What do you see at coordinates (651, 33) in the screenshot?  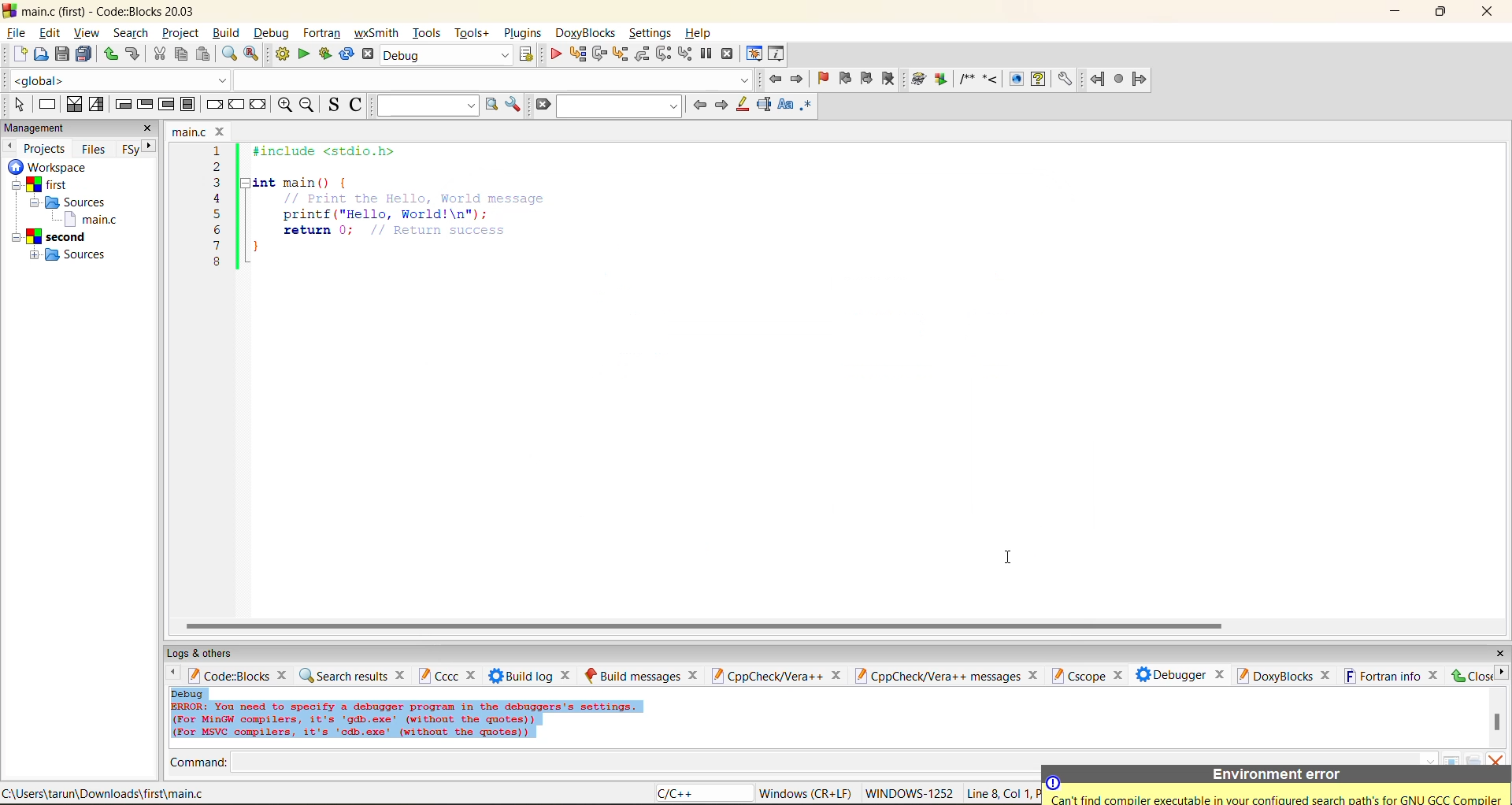 I see `settings` at bounding box center [651, 33].